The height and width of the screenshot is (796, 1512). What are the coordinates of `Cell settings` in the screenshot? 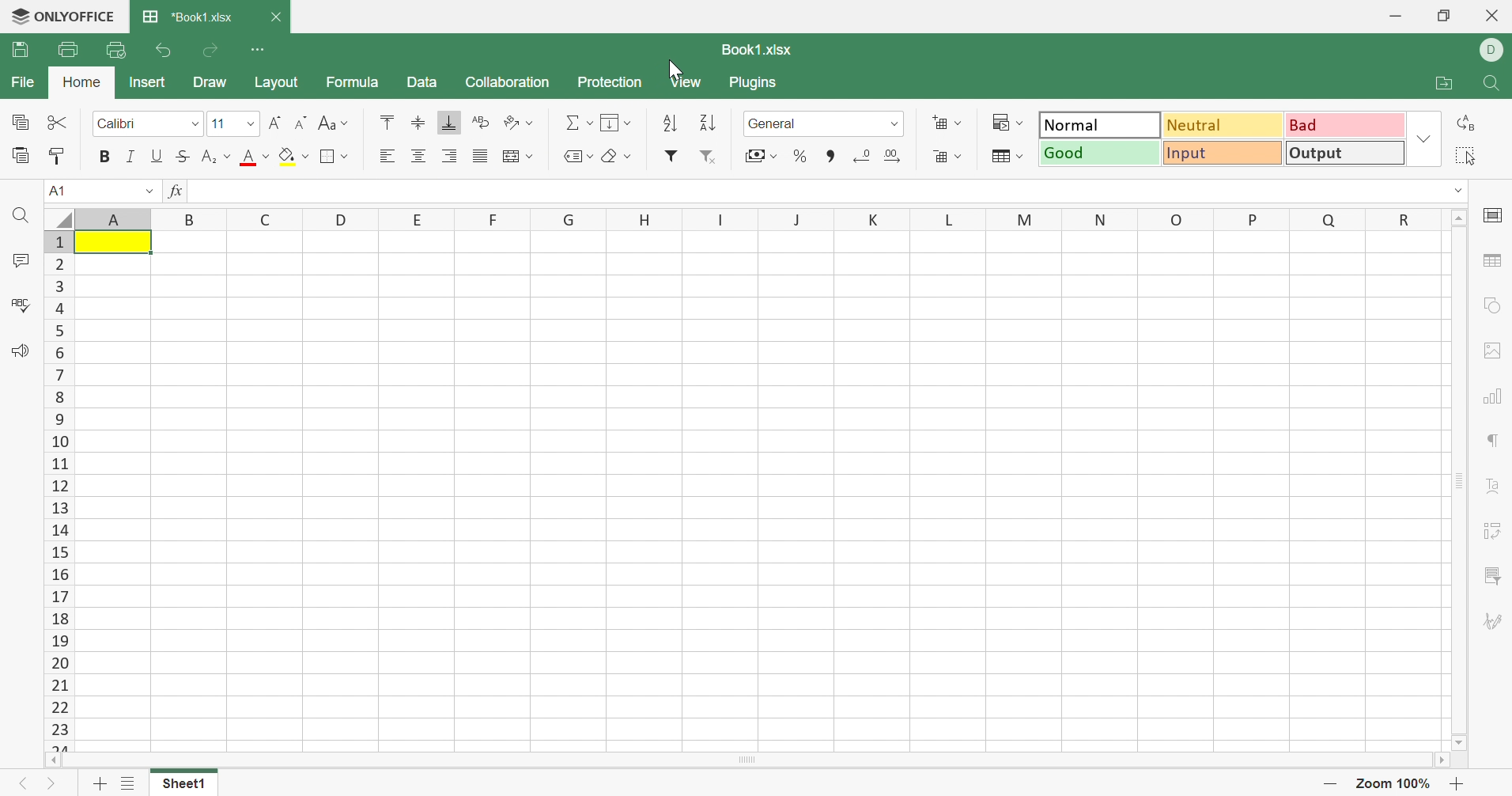 It's located at (1491, 214).